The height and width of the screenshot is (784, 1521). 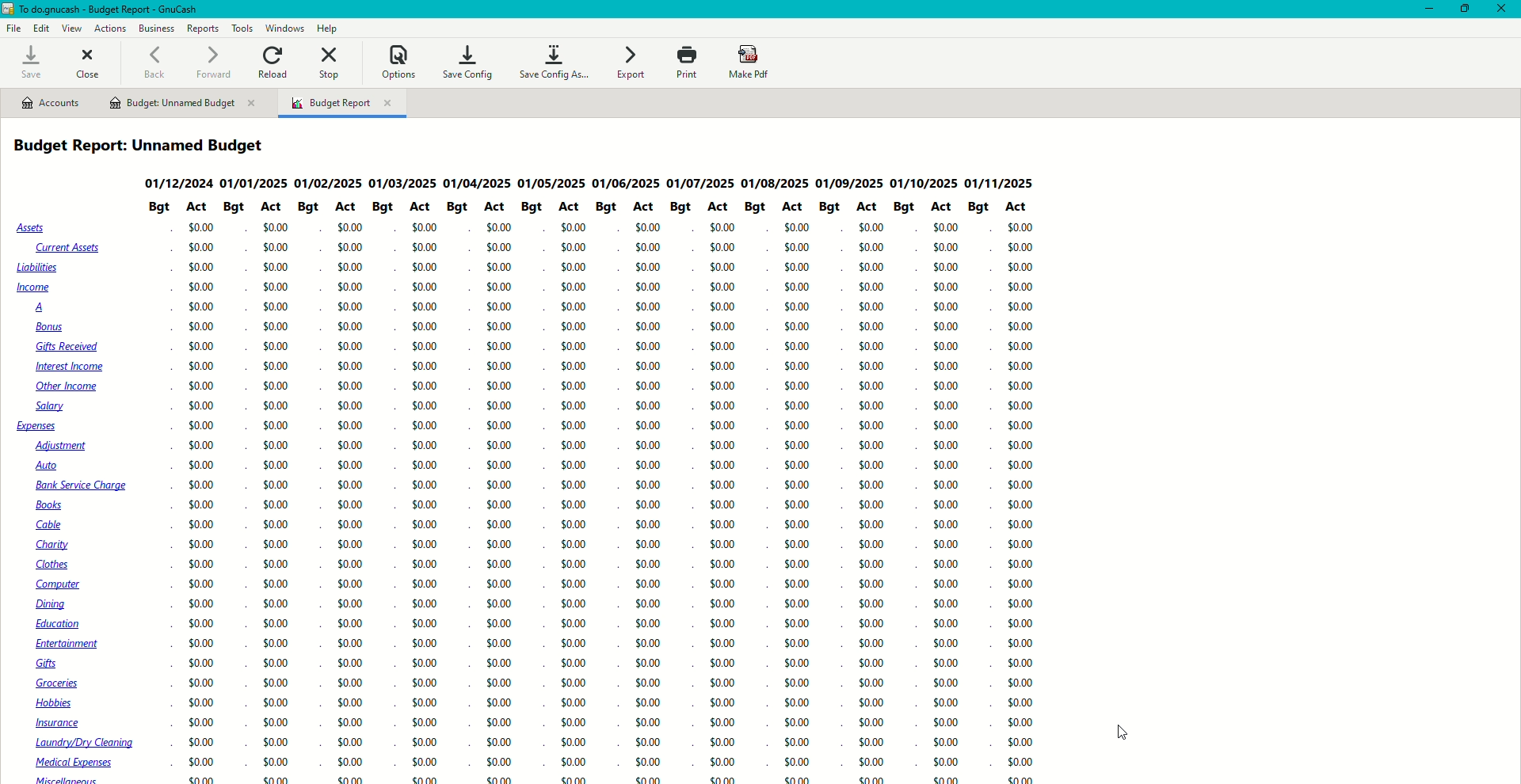 I want to click on Help, so click(x=328, y=28).